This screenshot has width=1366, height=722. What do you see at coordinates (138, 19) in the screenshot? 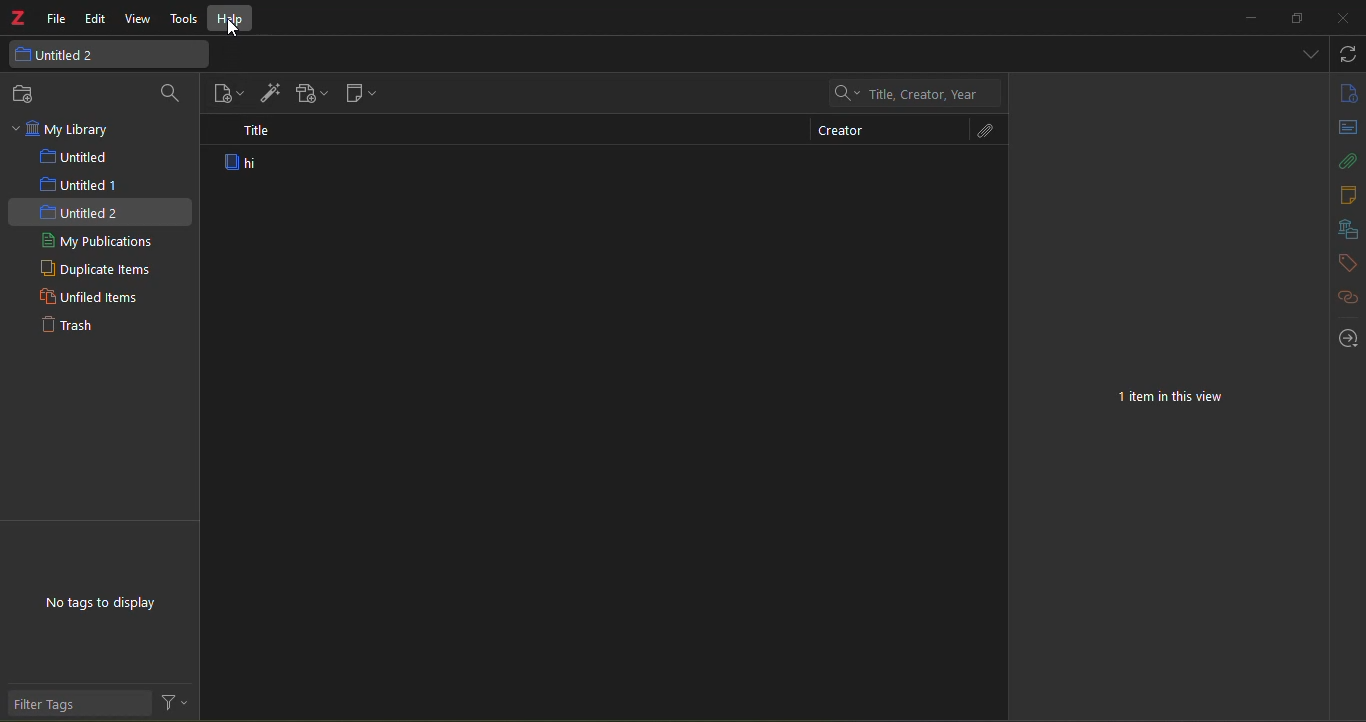
I see `view` at bounding box center [138, 19].